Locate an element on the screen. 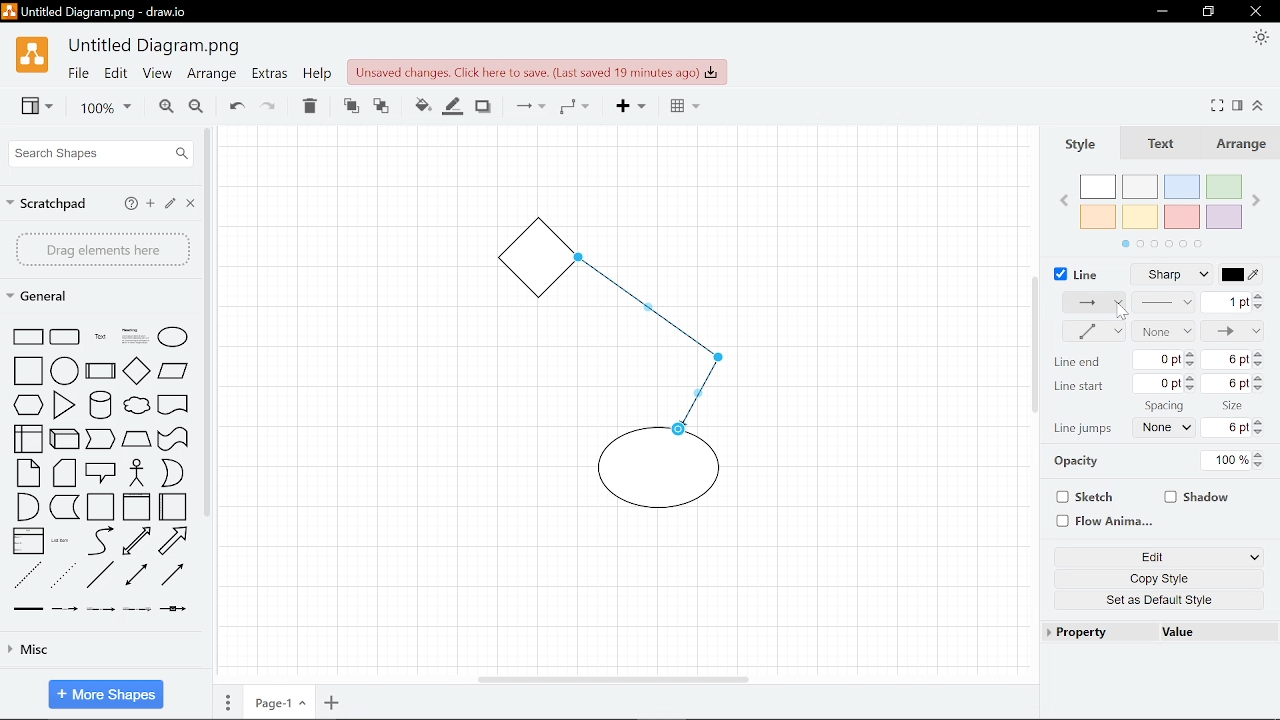  shape is located at coordinates (65, 337).